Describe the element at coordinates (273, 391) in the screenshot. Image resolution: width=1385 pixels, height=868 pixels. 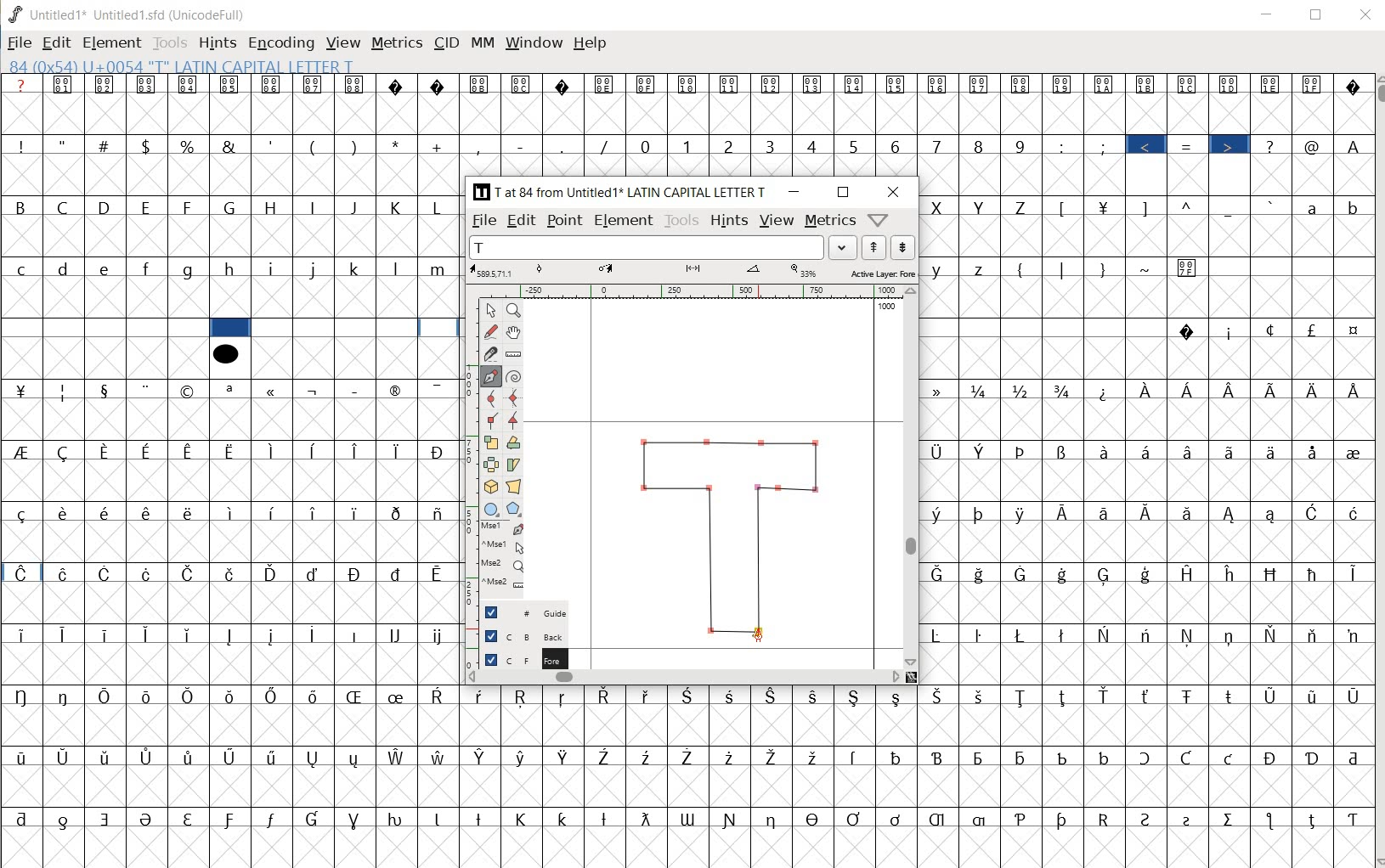
I see `Symbol` at that location.